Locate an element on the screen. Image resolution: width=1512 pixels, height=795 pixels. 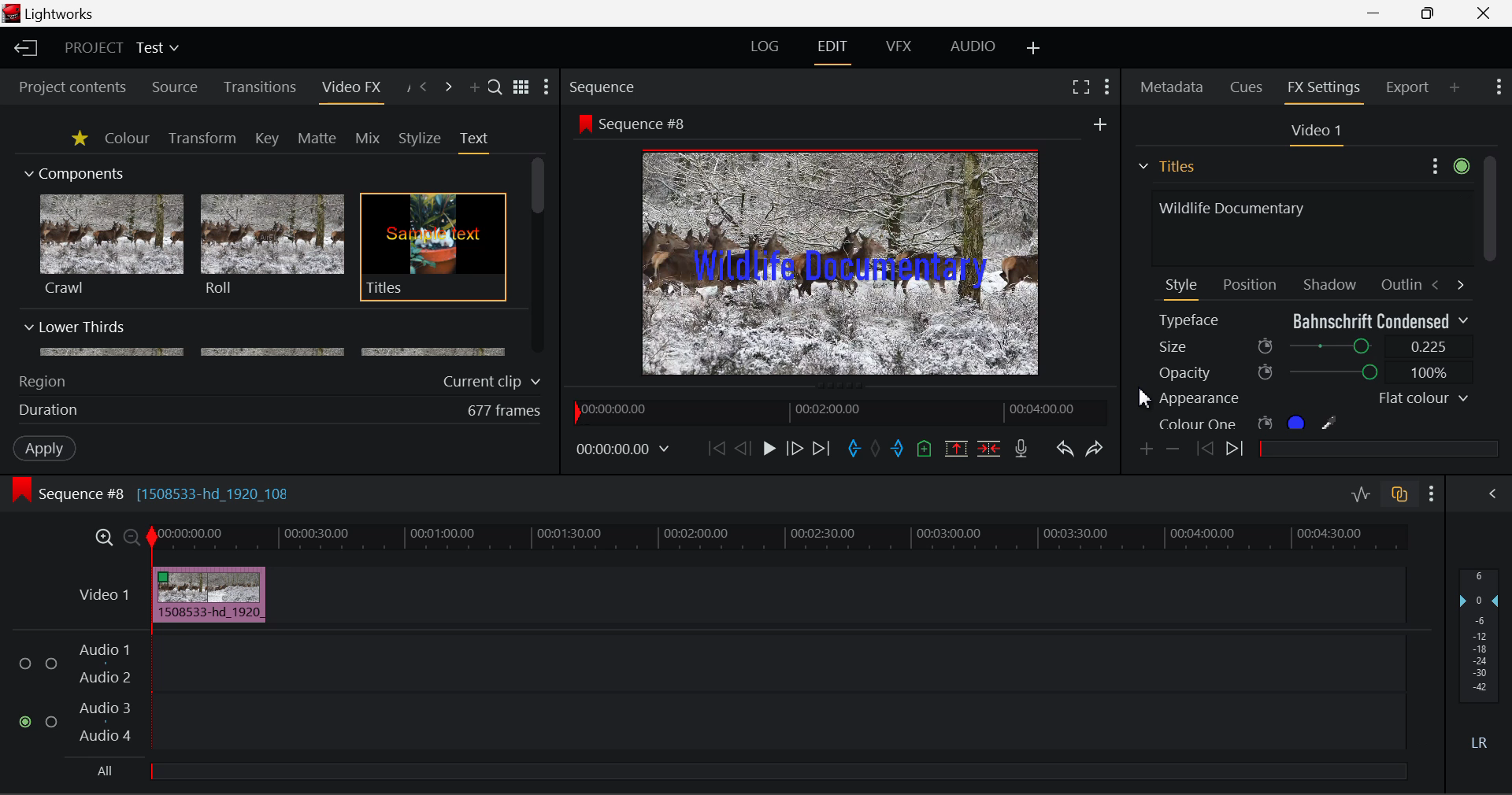
Mix is located at coordinates (367, 139).